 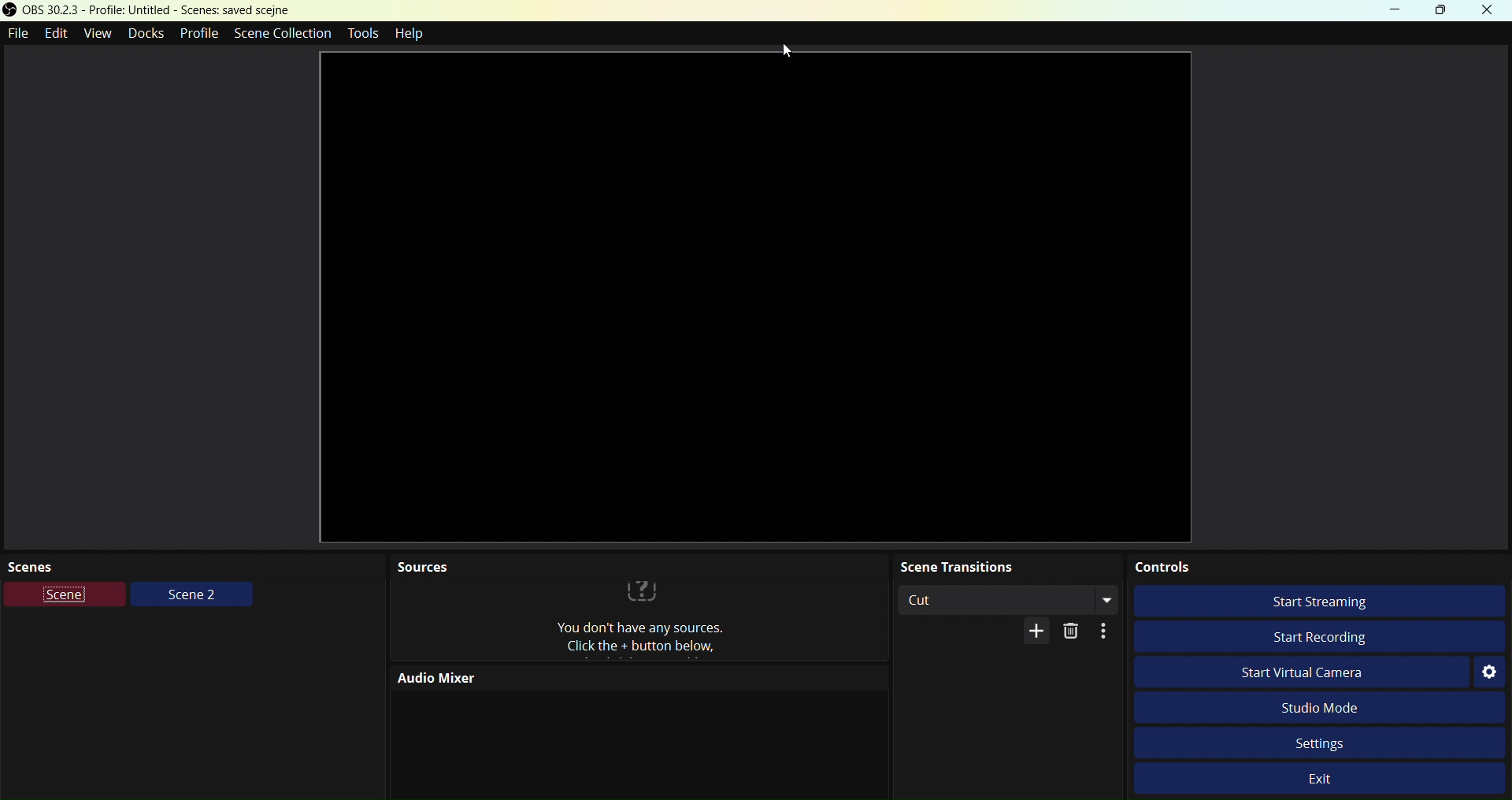 I want to click on Help, so click(x=413, y=32).